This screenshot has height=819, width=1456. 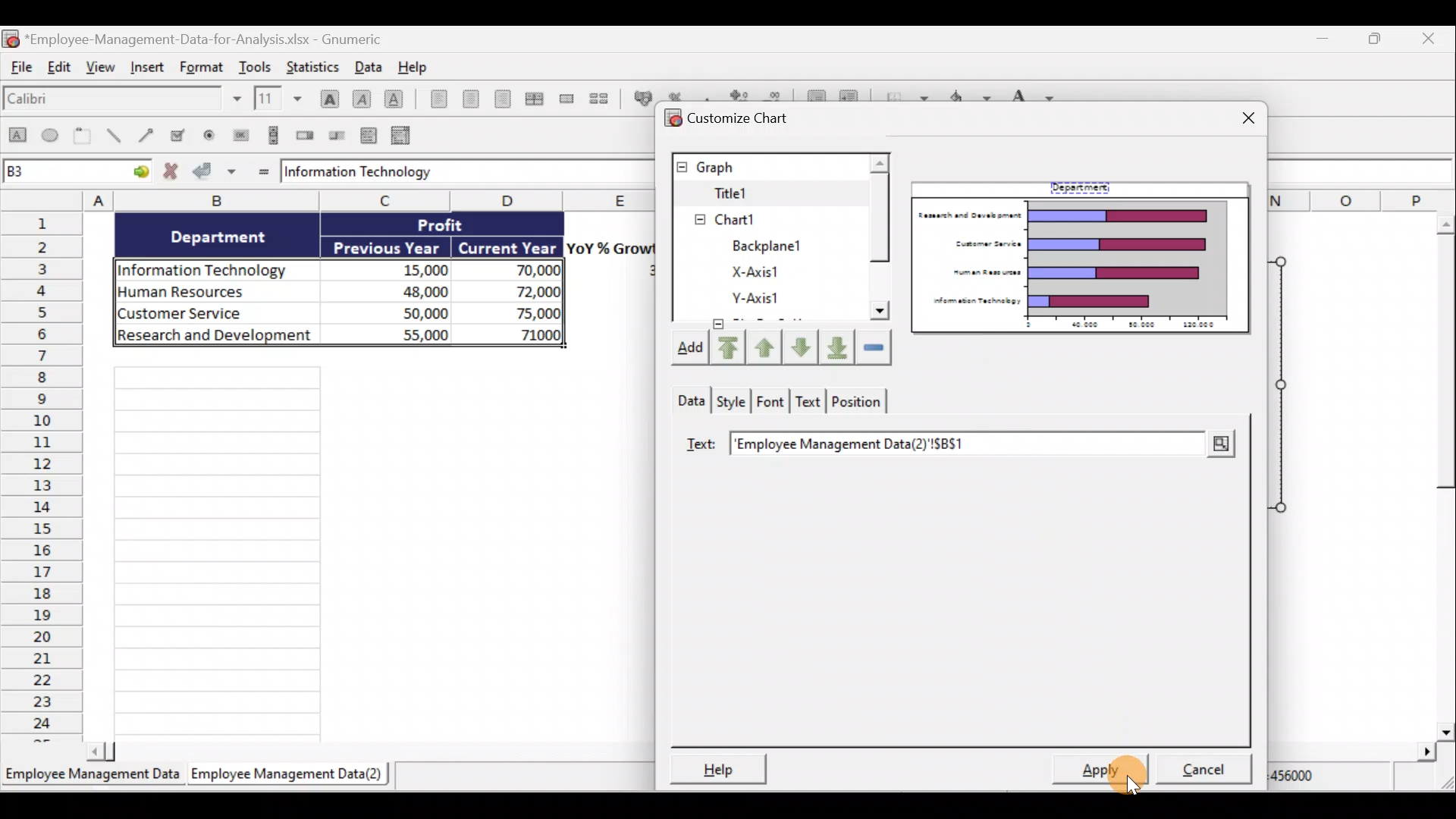 I want to click on Create a rectangle object, so click(x=17, y=136).